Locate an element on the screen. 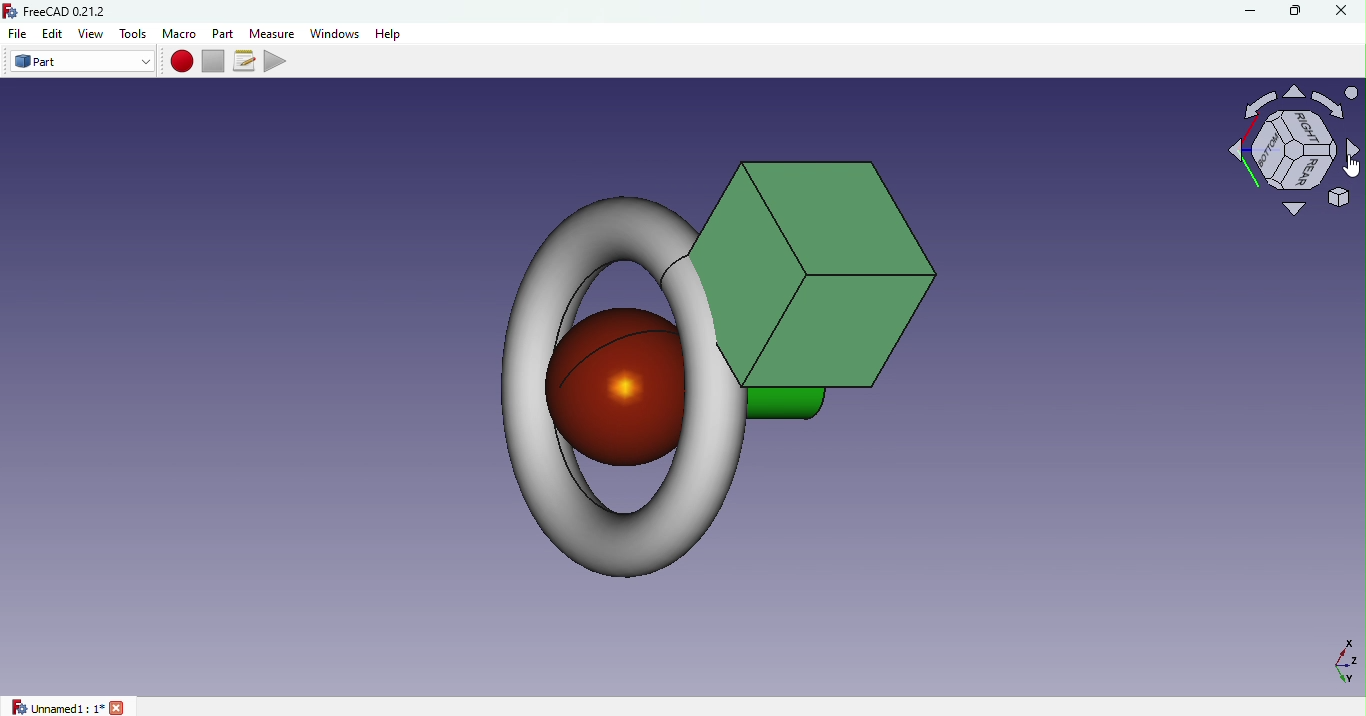 The width and height of the screenshot is (1366, 716). Measure is located at coordinates (271, 33).